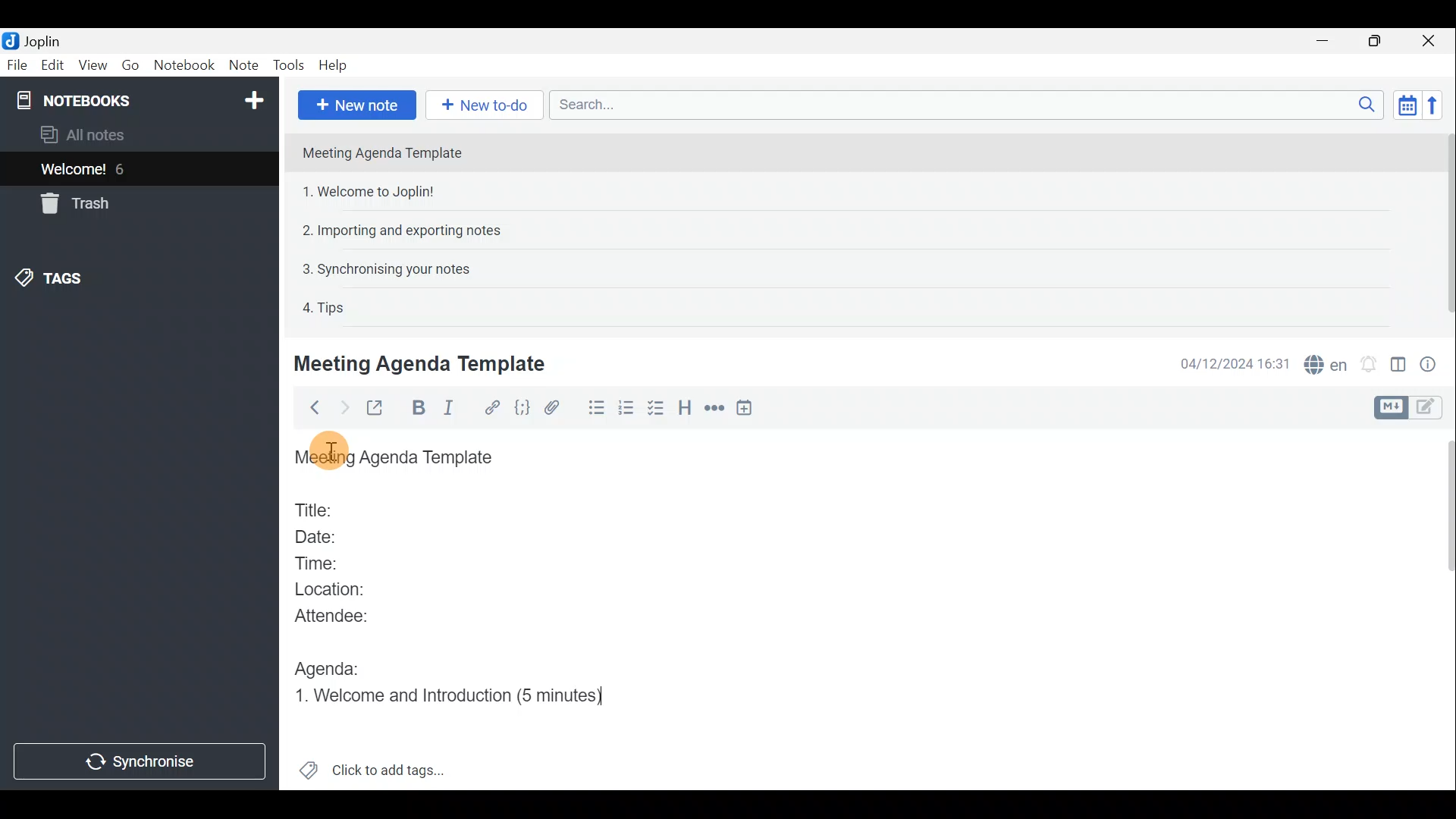  I want to click on 3. Synchronising your notes, so click(386, 268).